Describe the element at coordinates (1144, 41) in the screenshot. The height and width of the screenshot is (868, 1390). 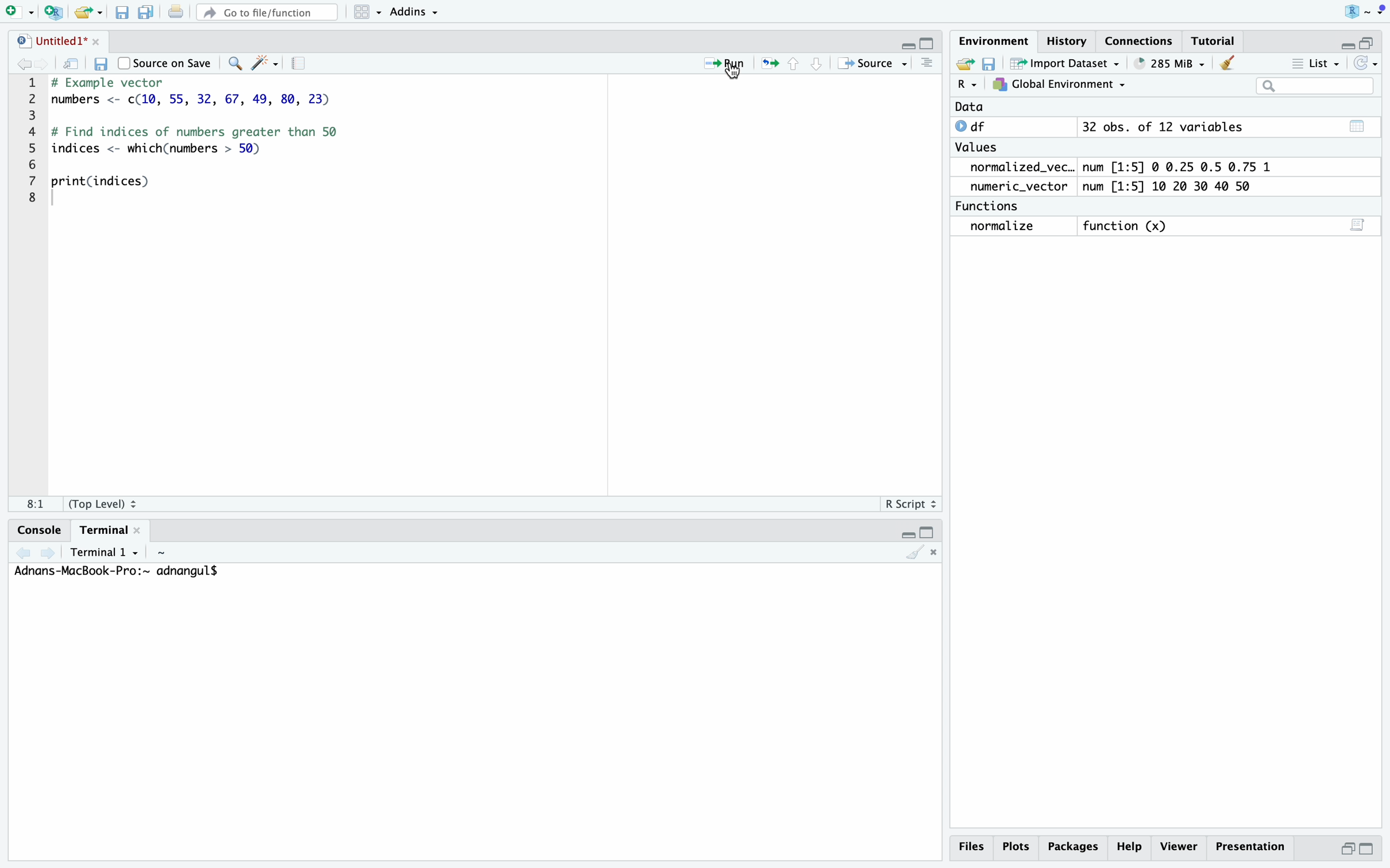
I see `connection` at that location.